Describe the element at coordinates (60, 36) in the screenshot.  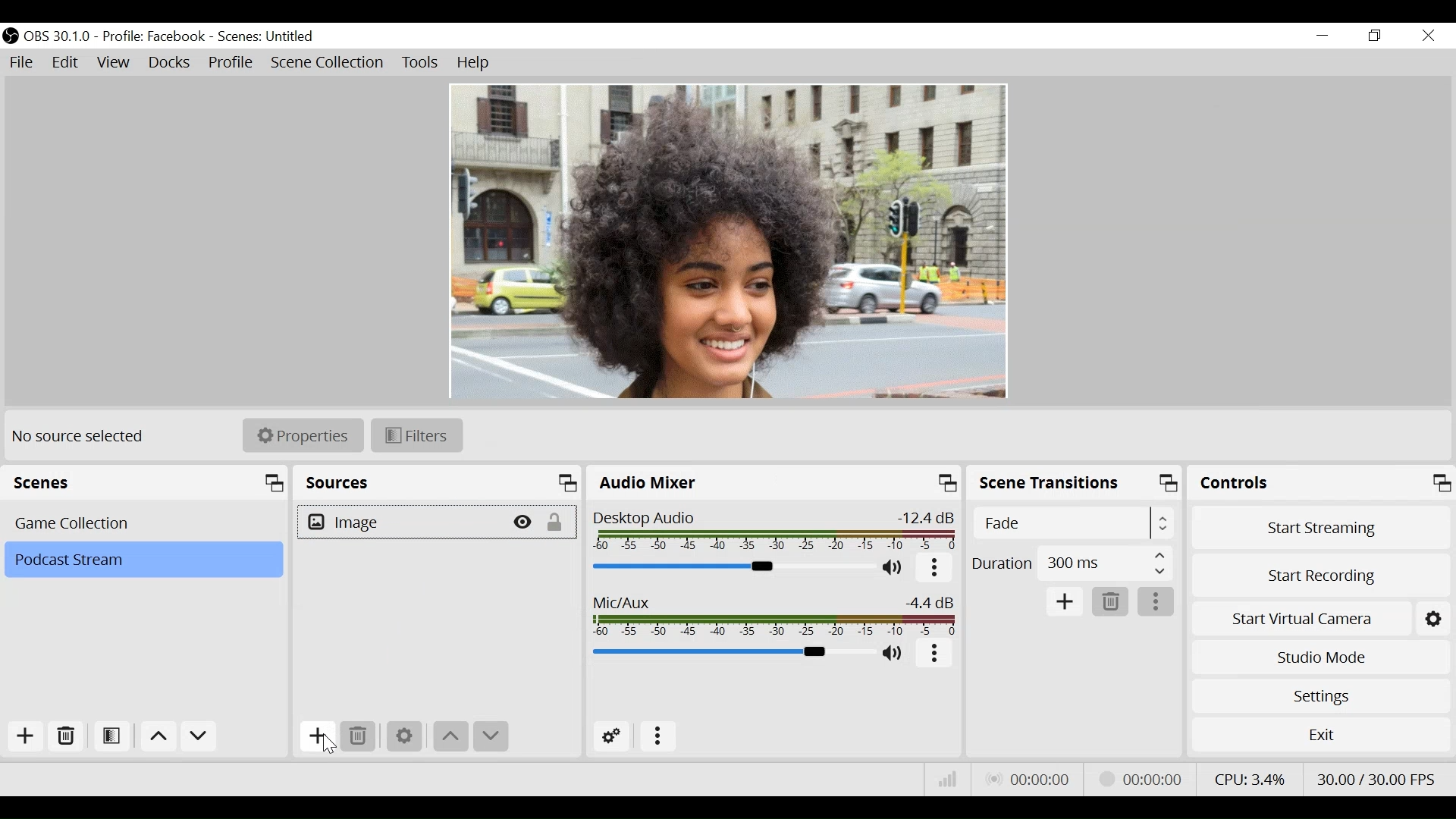
I see `OBS Version` at that location.